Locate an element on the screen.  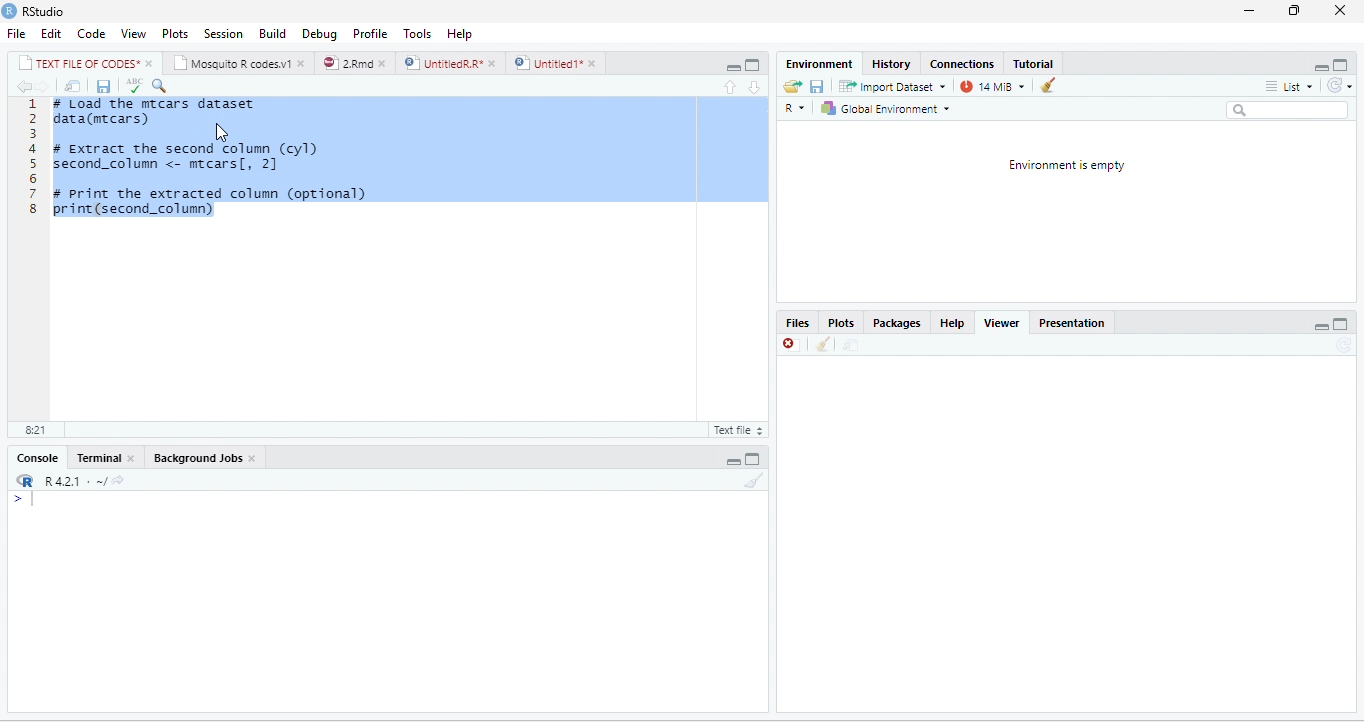
Plots is located at coordinates (845, 323).